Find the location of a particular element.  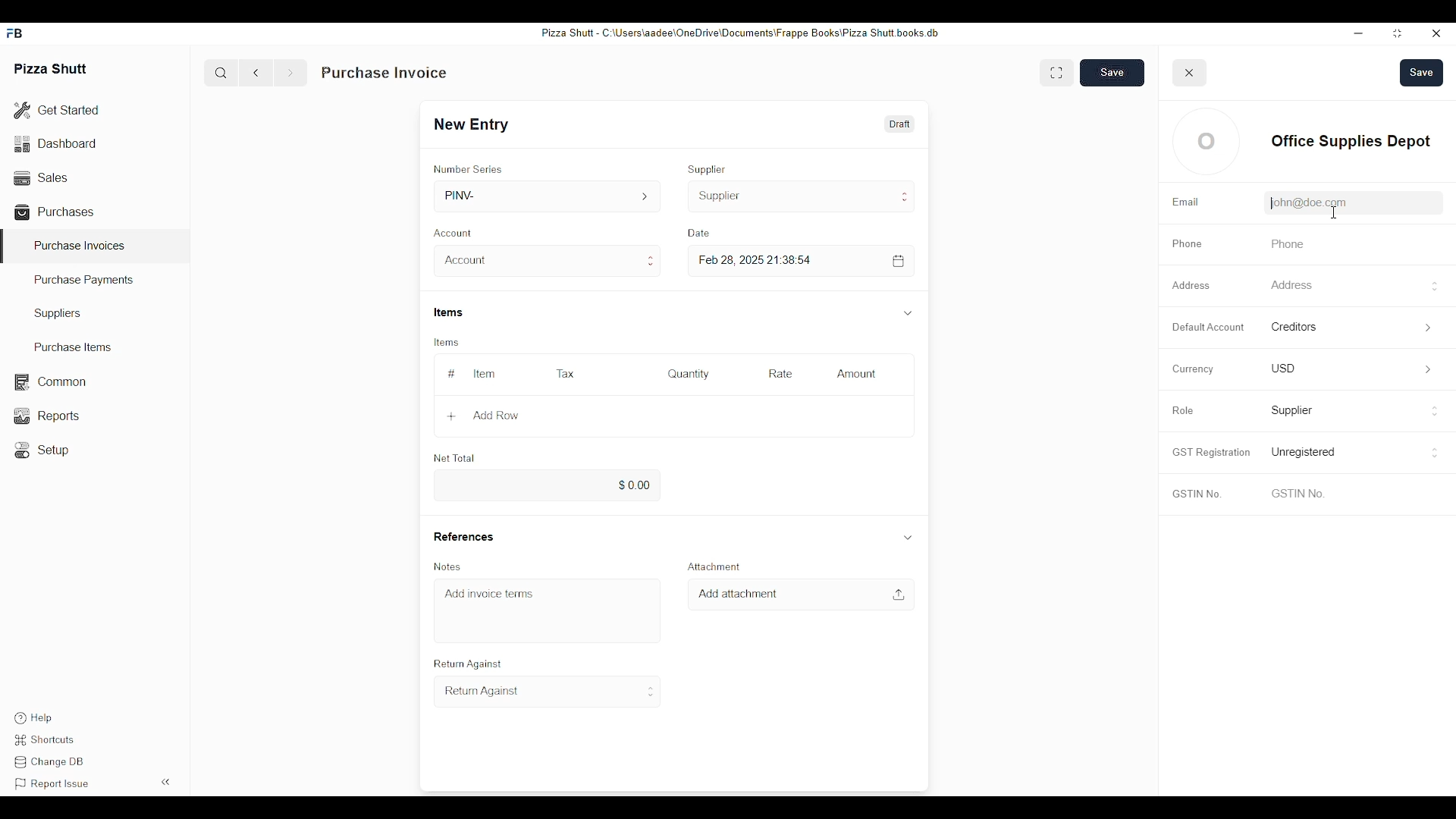

Common is located at coordinates (49, 382).